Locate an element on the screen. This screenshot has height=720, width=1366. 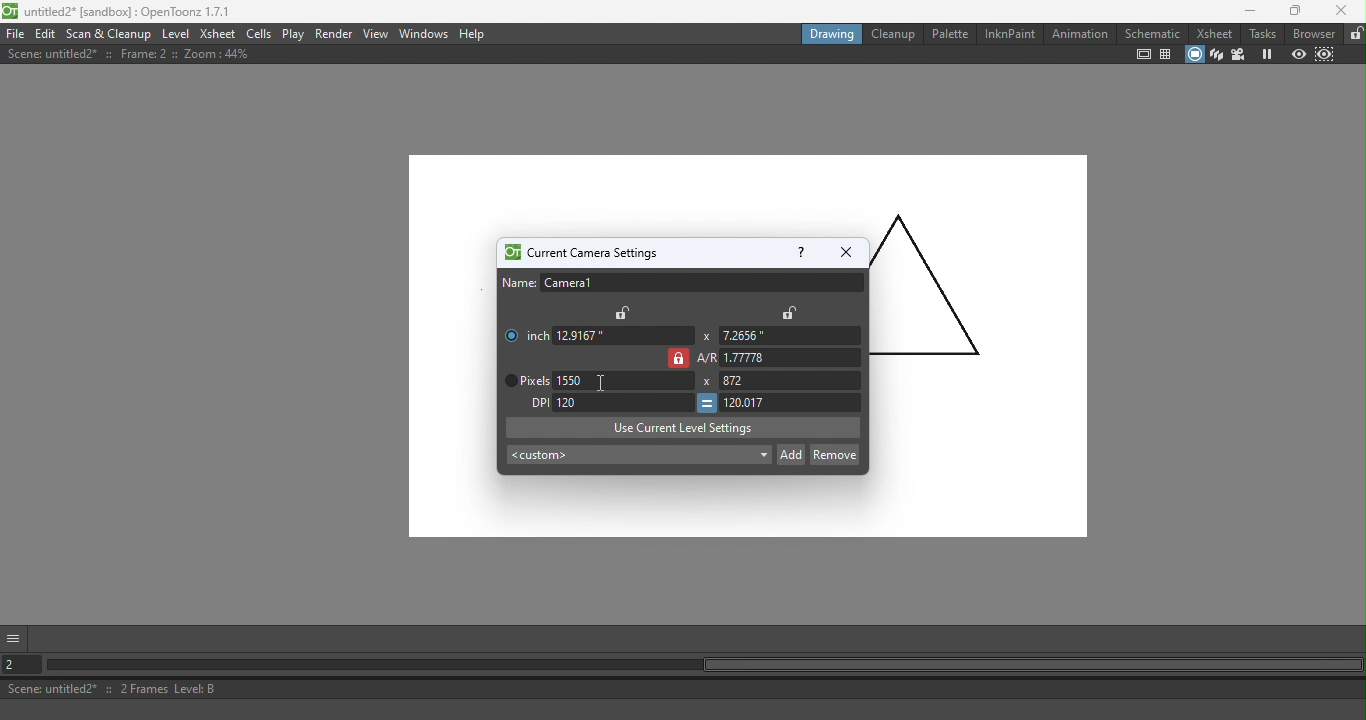
Lock/Unlock aspect ratio is located at coordinates (677, 358).